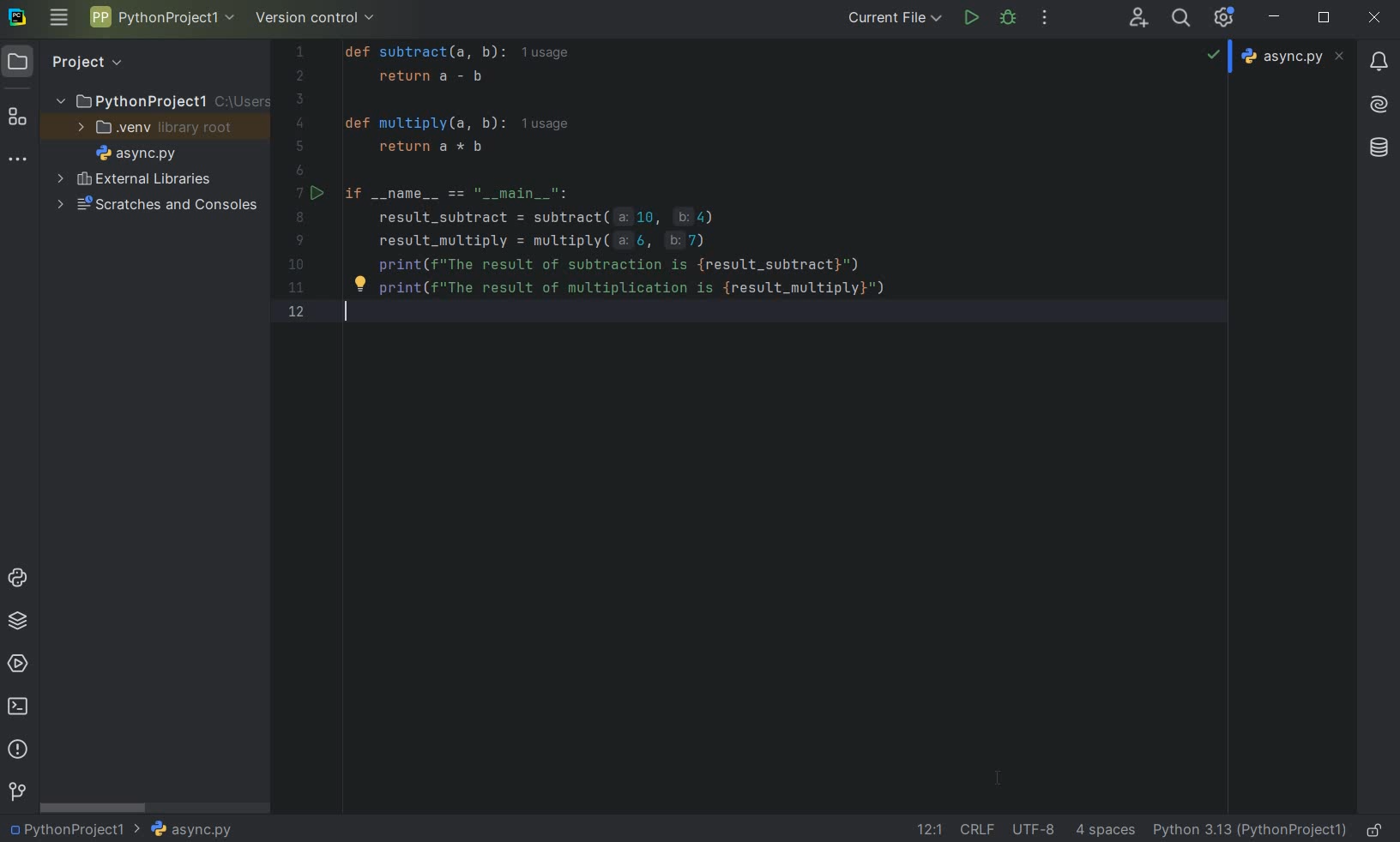 This screenshot has height=842, width=1400. Describe the element at coordinates (929, 829) in the screenshot. I see `go to line` at that location.